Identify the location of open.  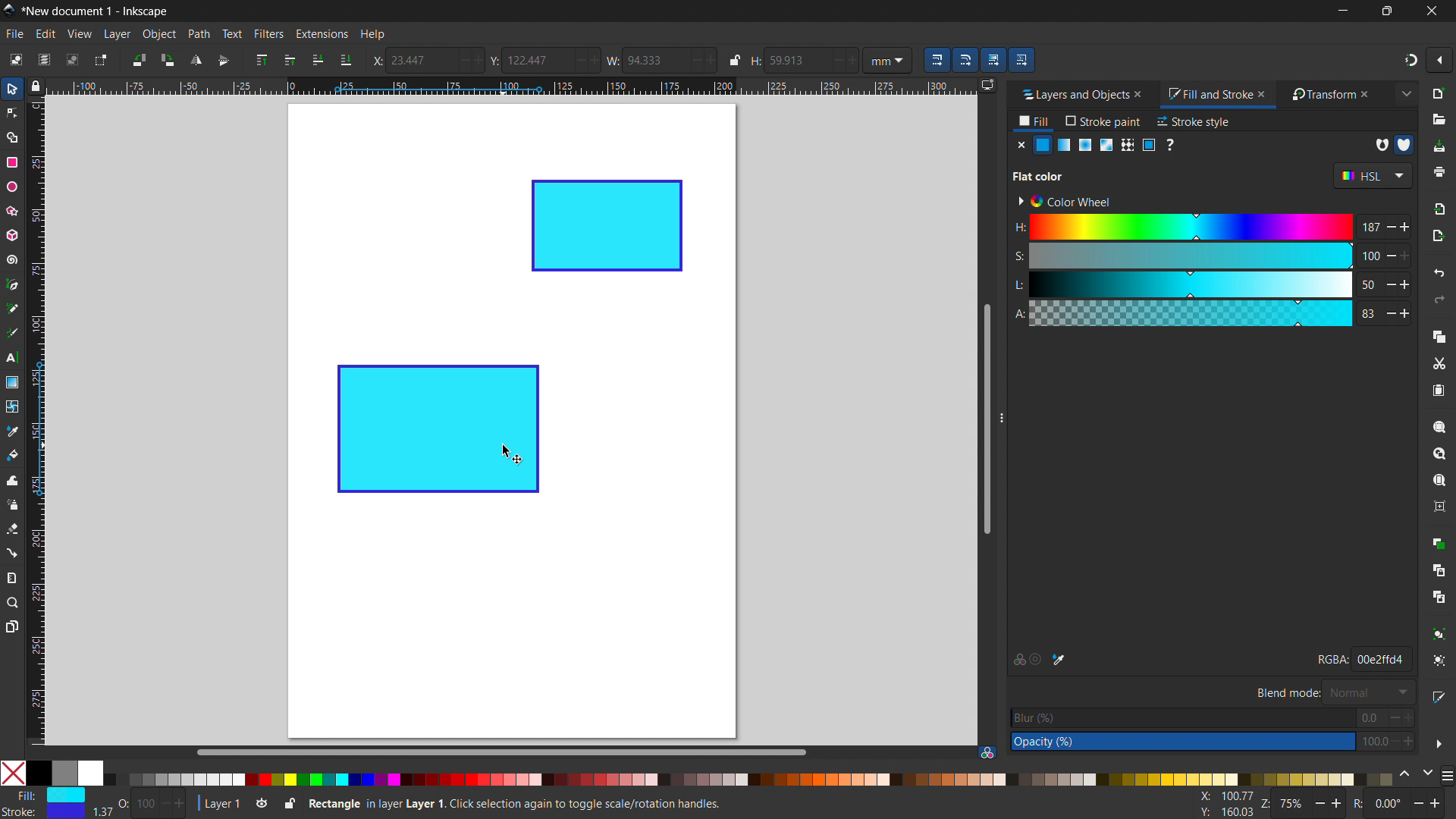
(1439, 120).